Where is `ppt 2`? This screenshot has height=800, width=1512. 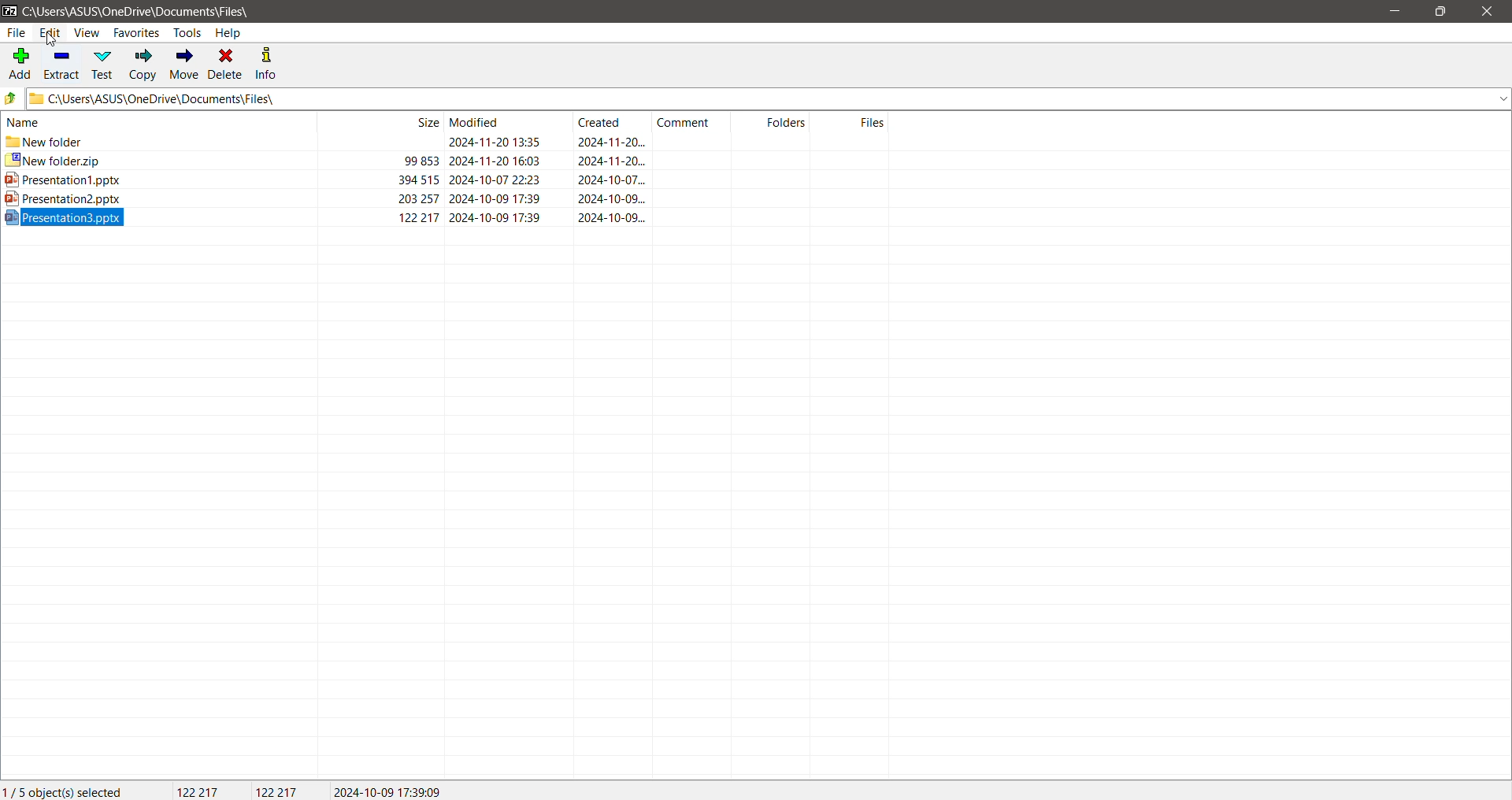 ppt 2 is located at coordinates (447, 199).